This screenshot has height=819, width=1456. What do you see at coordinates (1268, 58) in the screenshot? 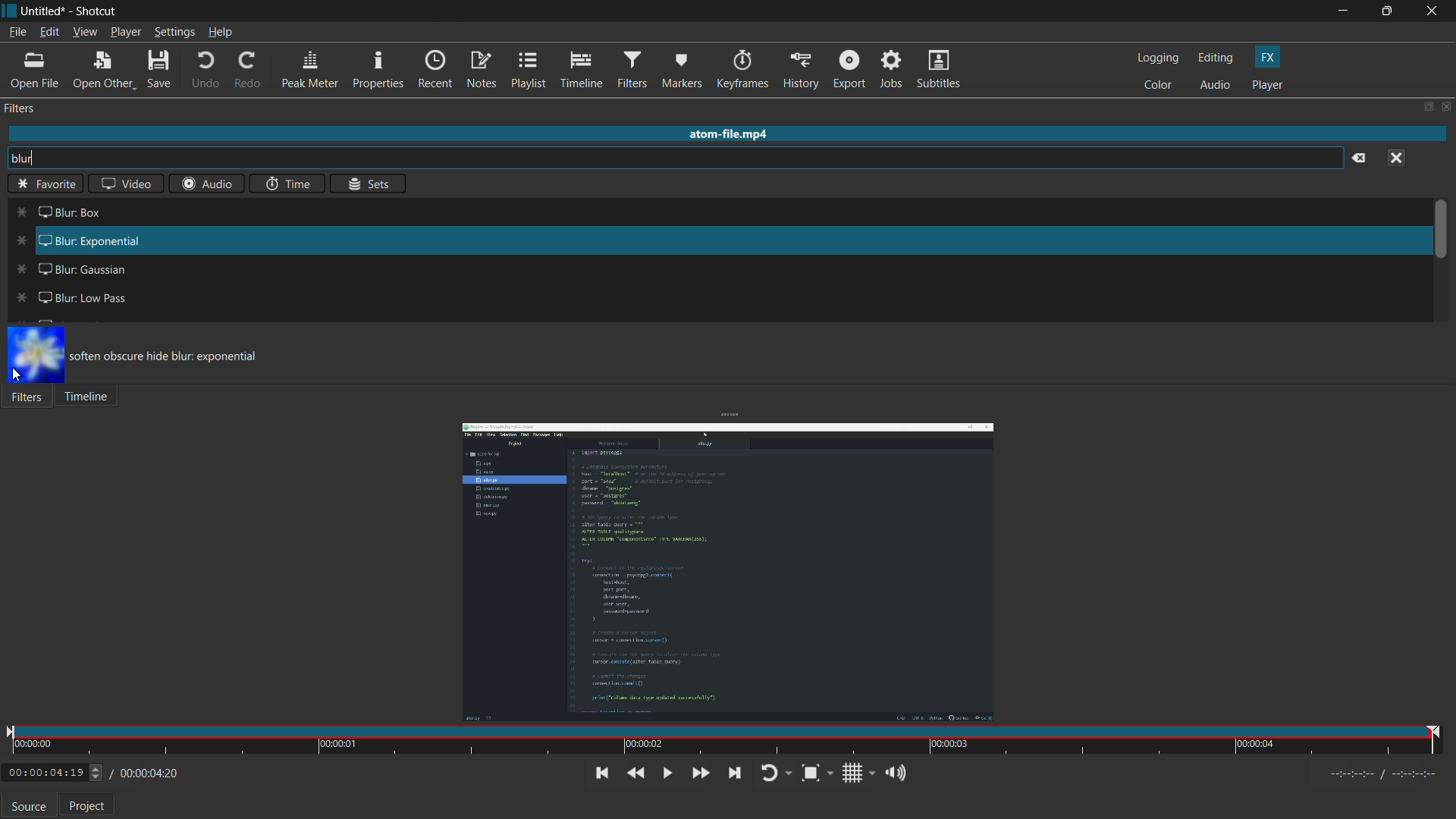
I see `fx` at bounding box center [1268, 58].